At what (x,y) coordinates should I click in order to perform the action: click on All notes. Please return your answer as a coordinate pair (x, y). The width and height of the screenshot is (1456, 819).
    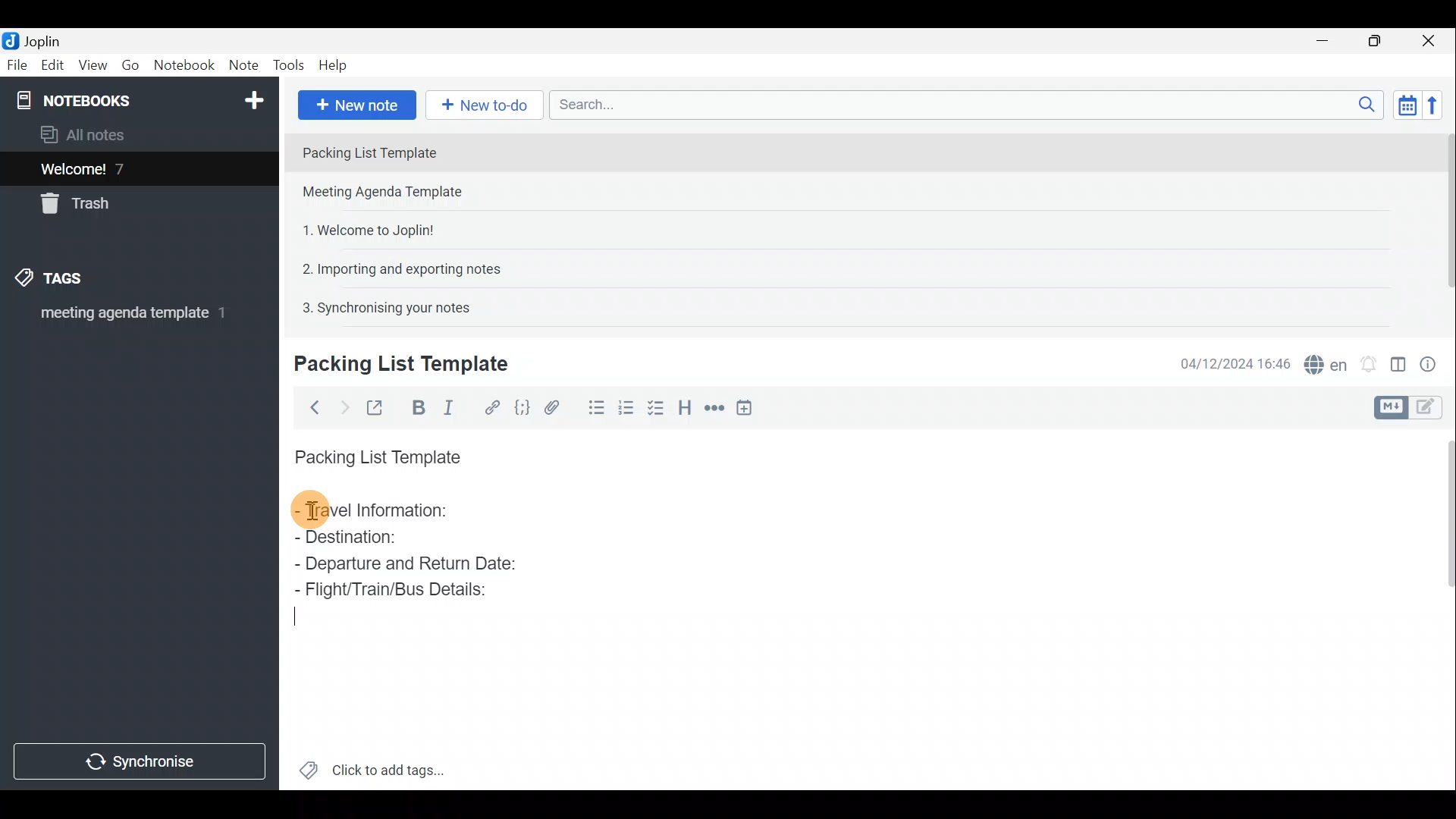
    Looking at the image, I should click on (88, 134).